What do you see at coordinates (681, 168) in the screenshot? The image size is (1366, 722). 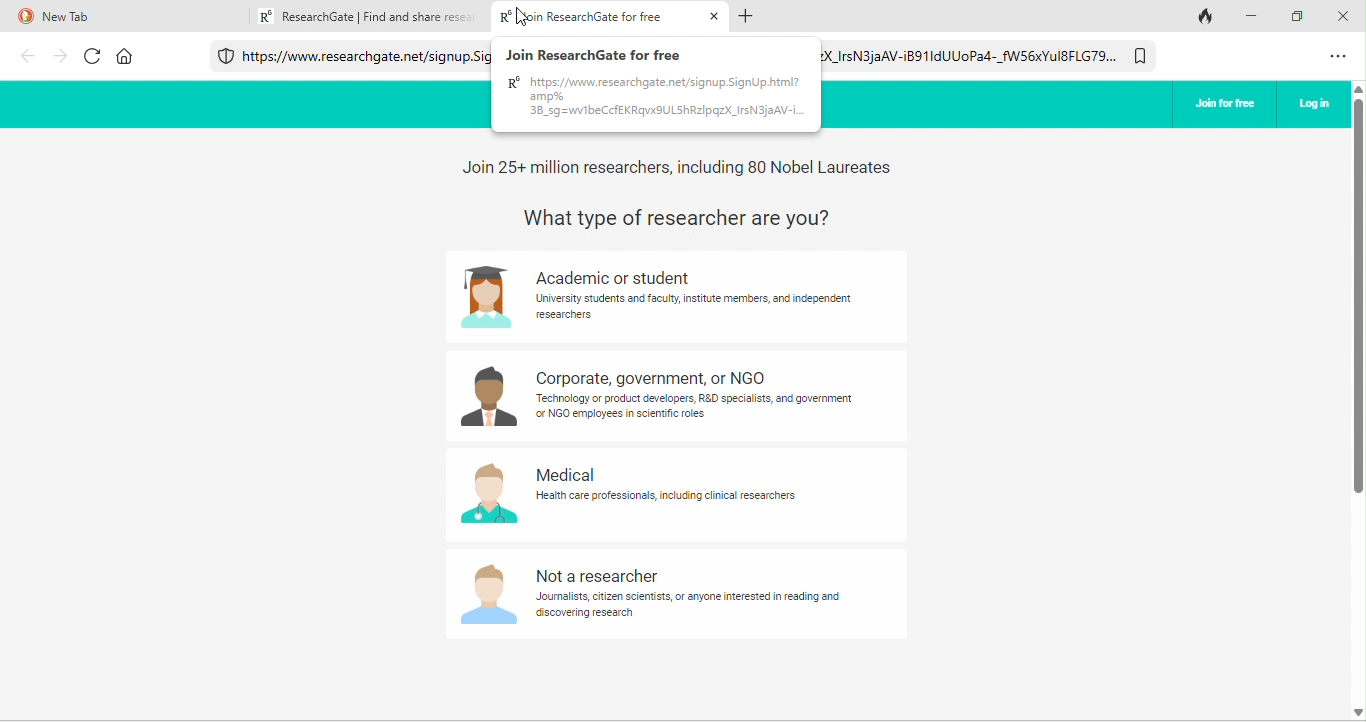 I see `Join 25+ million researchers, including 80 Nobel Laureates` at bounding box center [681, 168].